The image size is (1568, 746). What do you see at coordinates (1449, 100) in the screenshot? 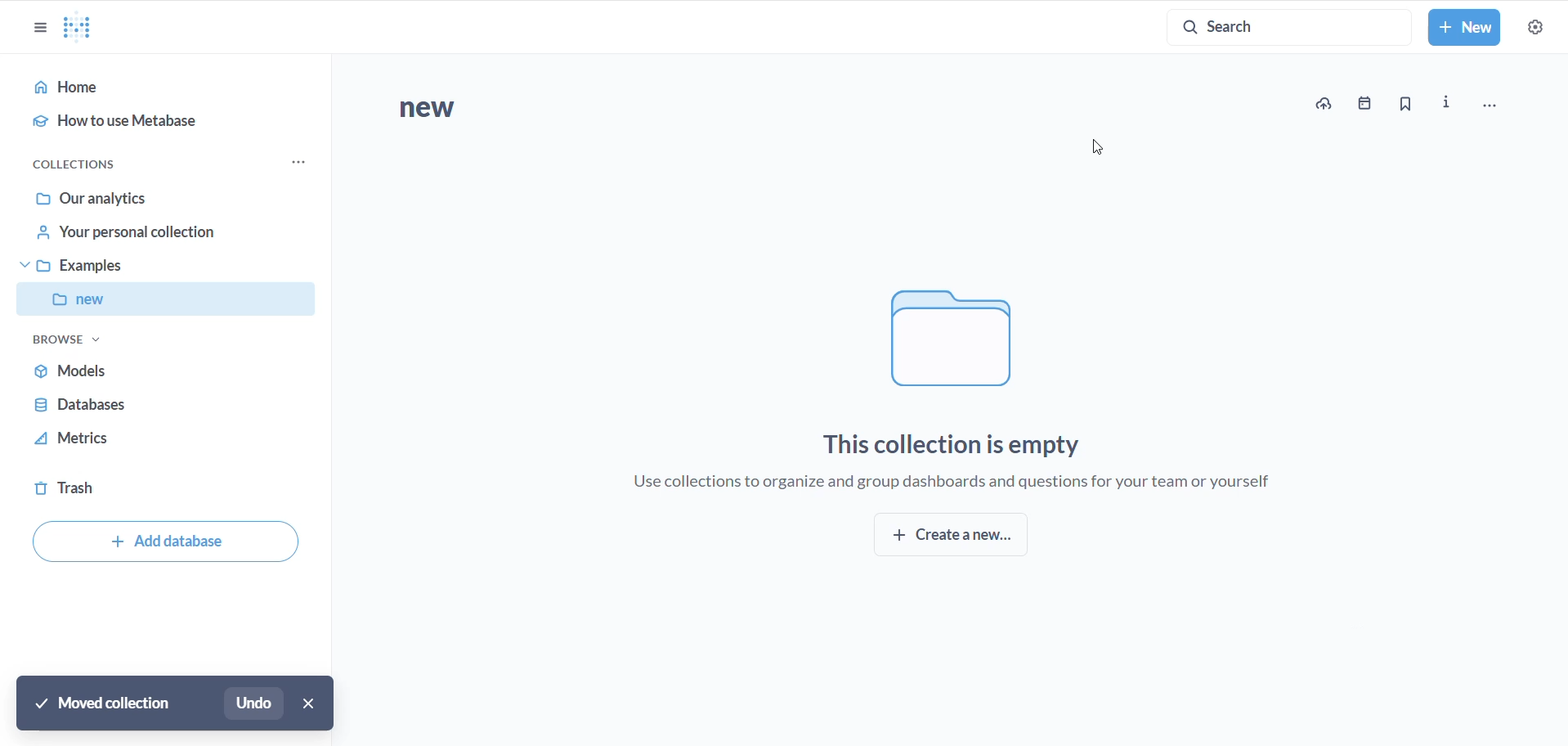
I see `info ` at bounding box center [1449, 100].